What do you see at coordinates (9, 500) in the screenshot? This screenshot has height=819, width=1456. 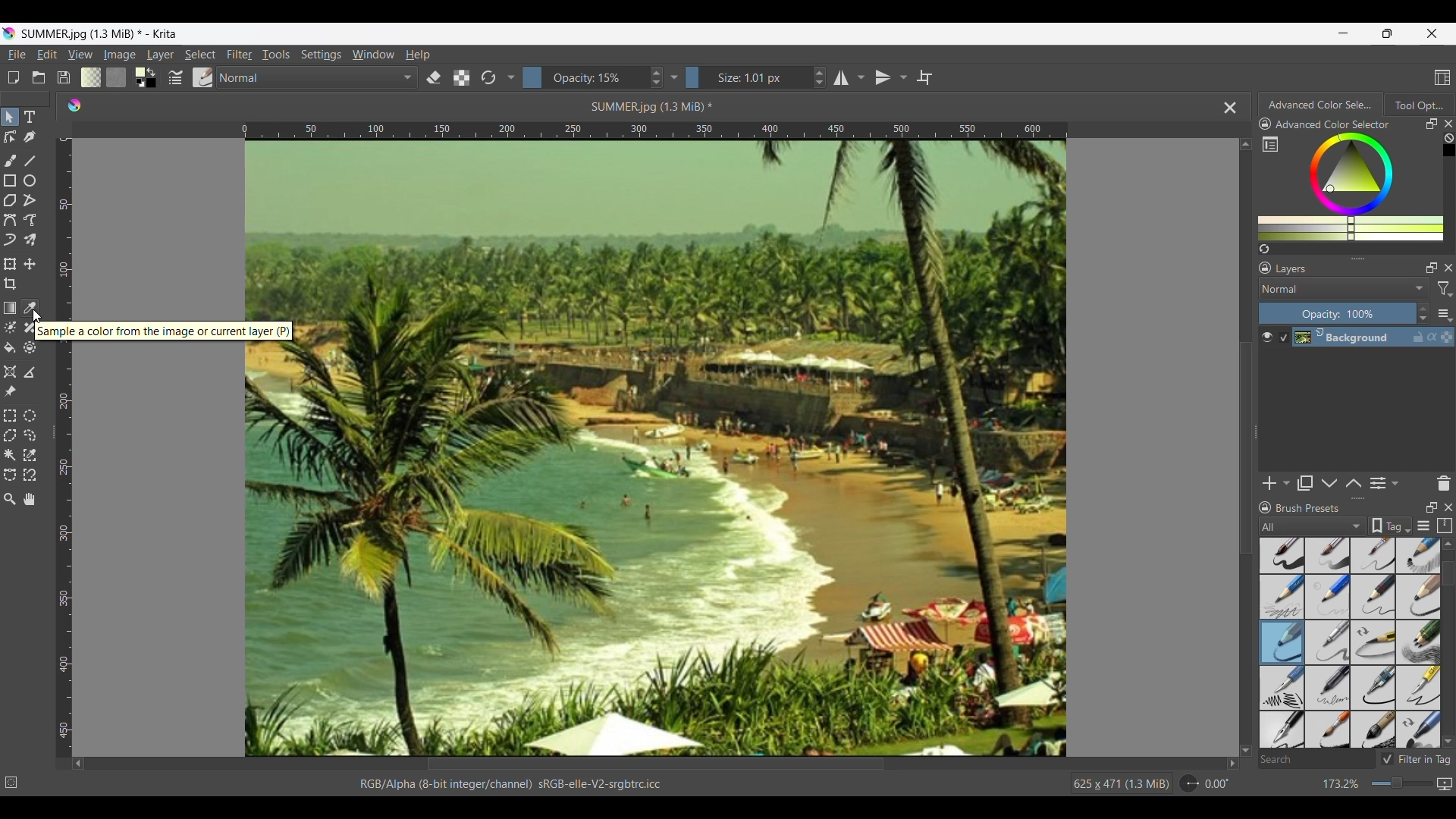 I see `Zoom tool` at bounding box center [9, 500].